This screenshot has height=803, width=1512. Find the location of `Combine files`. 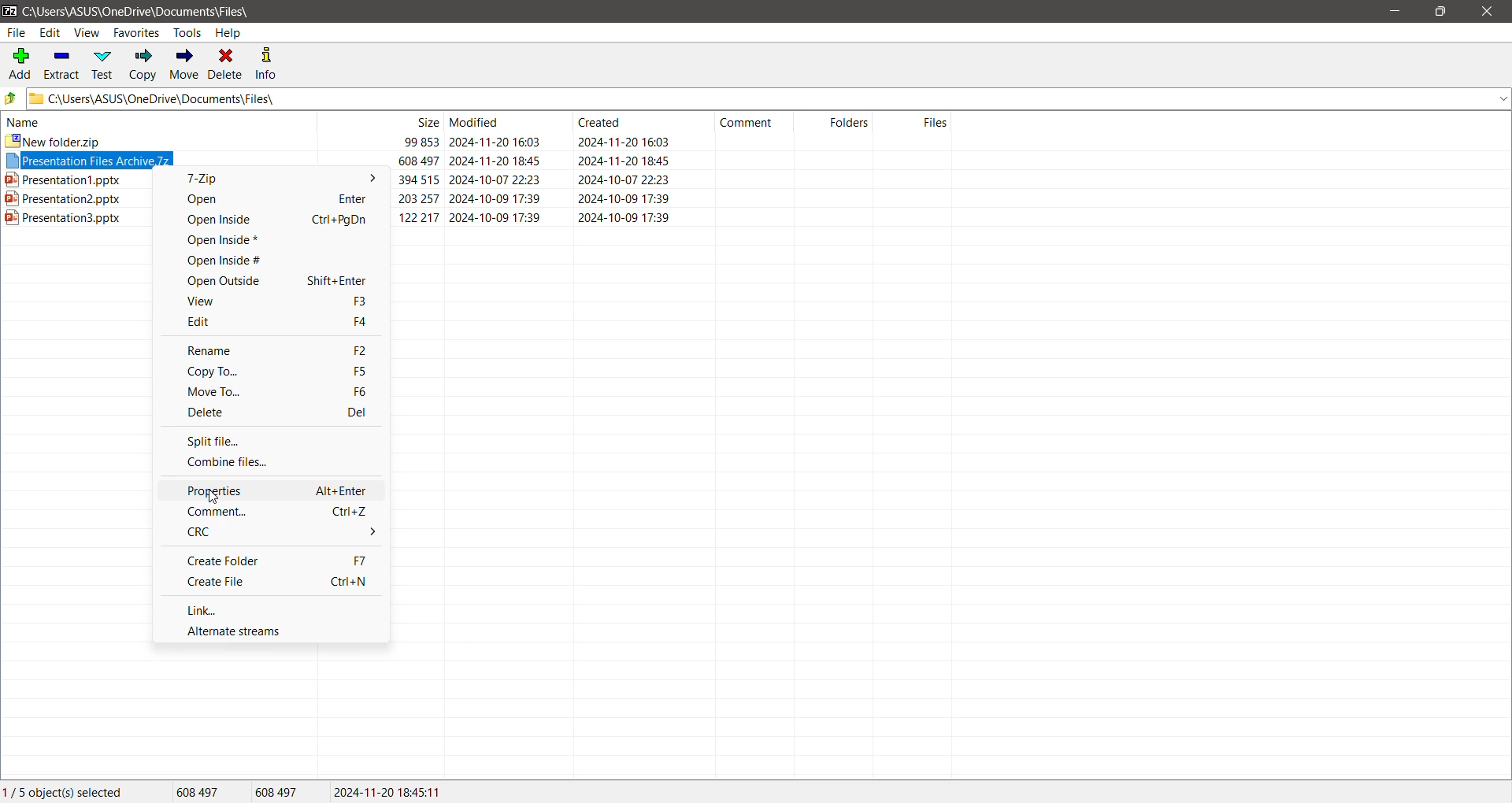

Combine files is located at coordinates (229, 462).